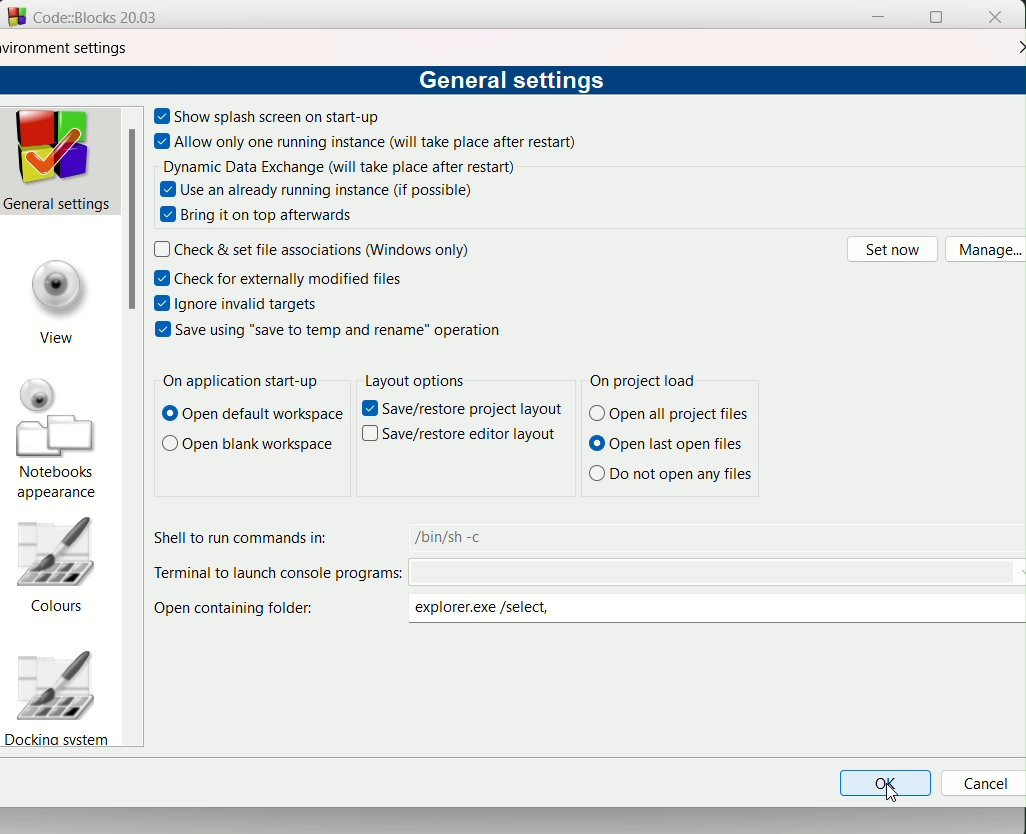 This screenshot has width=1026, height=834. I want to click on scrollbar, so click(136, 223).